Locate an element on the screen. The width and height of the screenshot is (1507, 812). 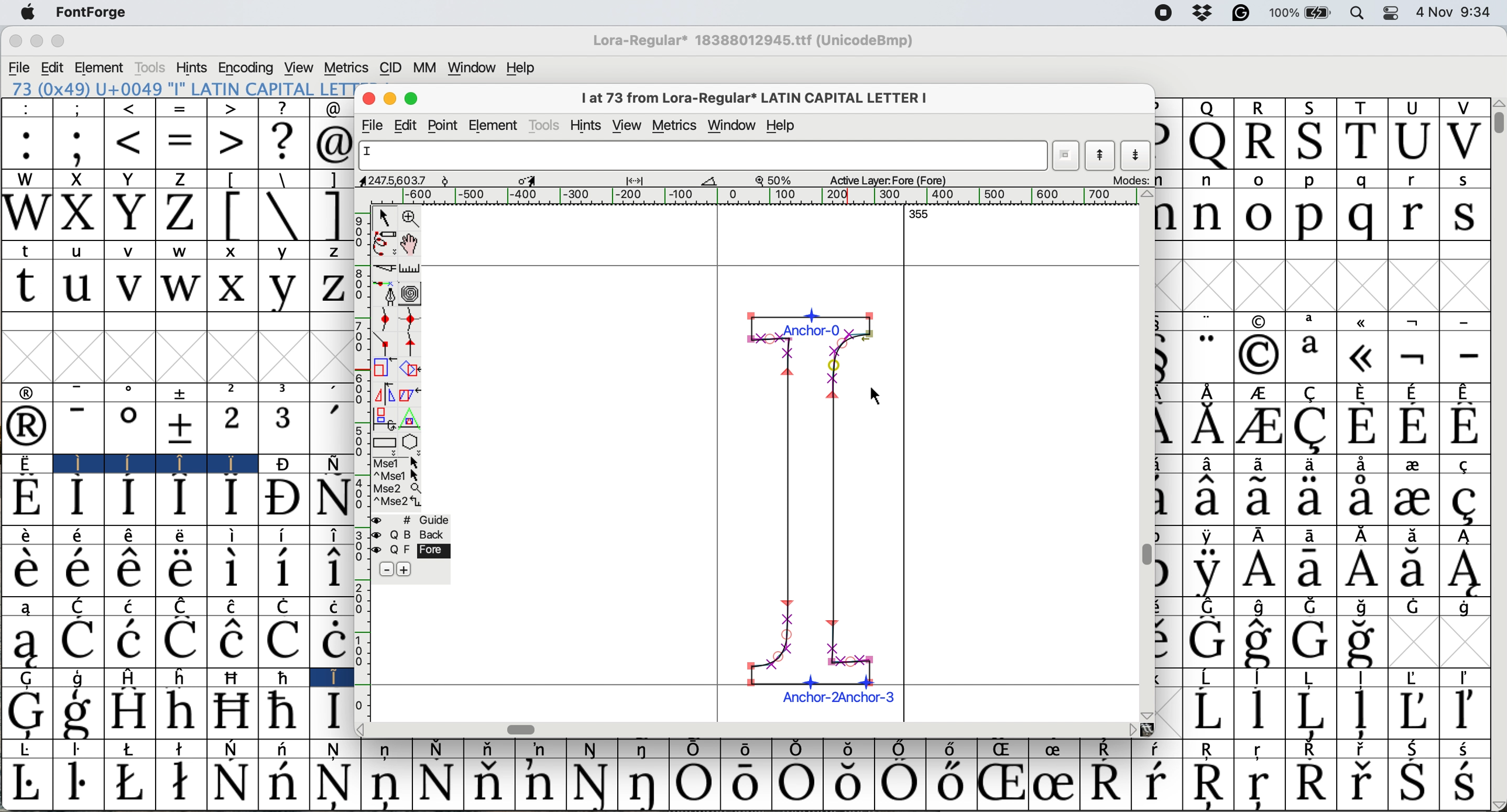
Symbol is located at coordinates (1209, 535).